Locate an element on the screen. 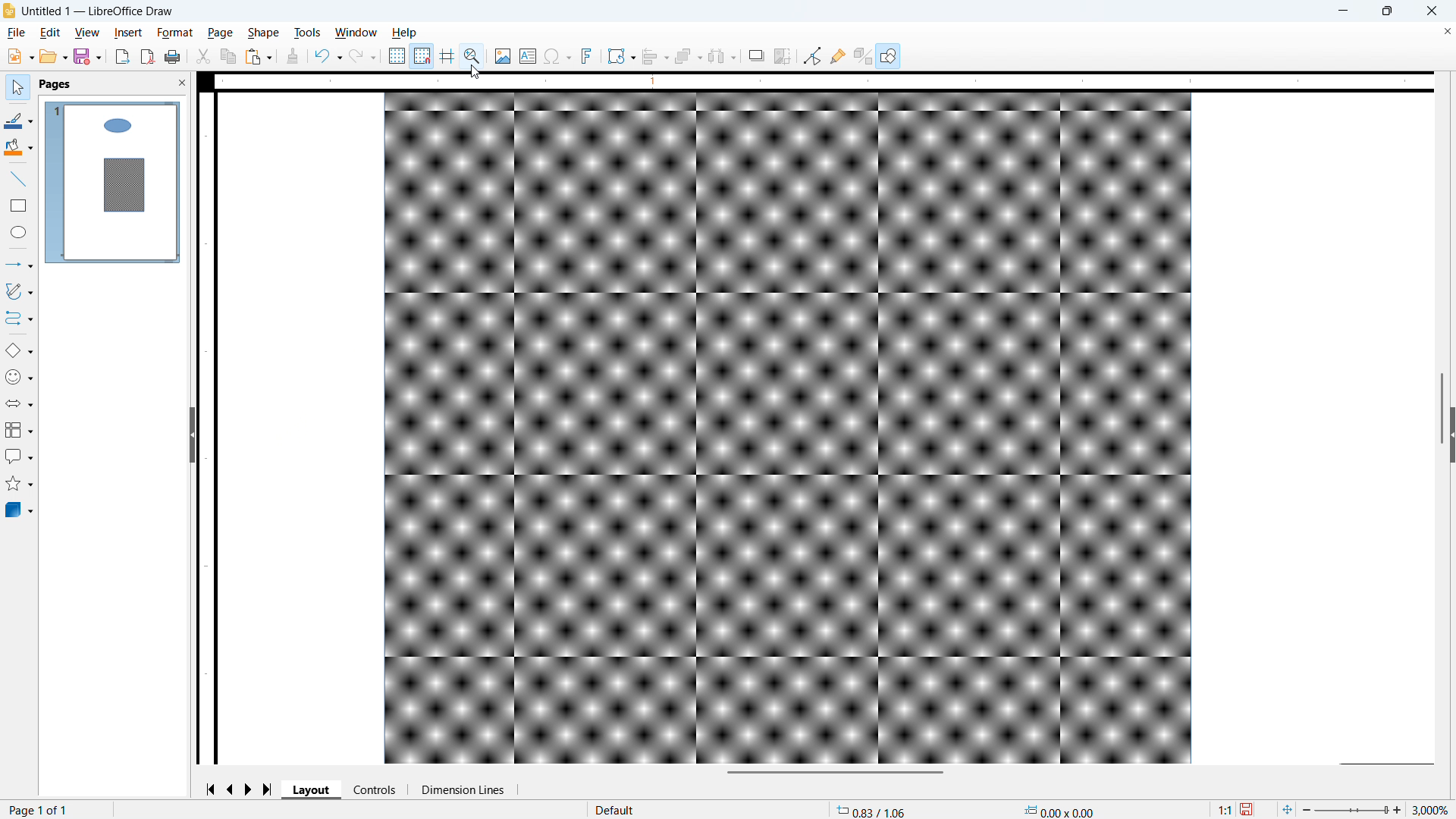 The width and height of the screenshot is (1456, 819). Edit  is located at coordinates (51, 33).